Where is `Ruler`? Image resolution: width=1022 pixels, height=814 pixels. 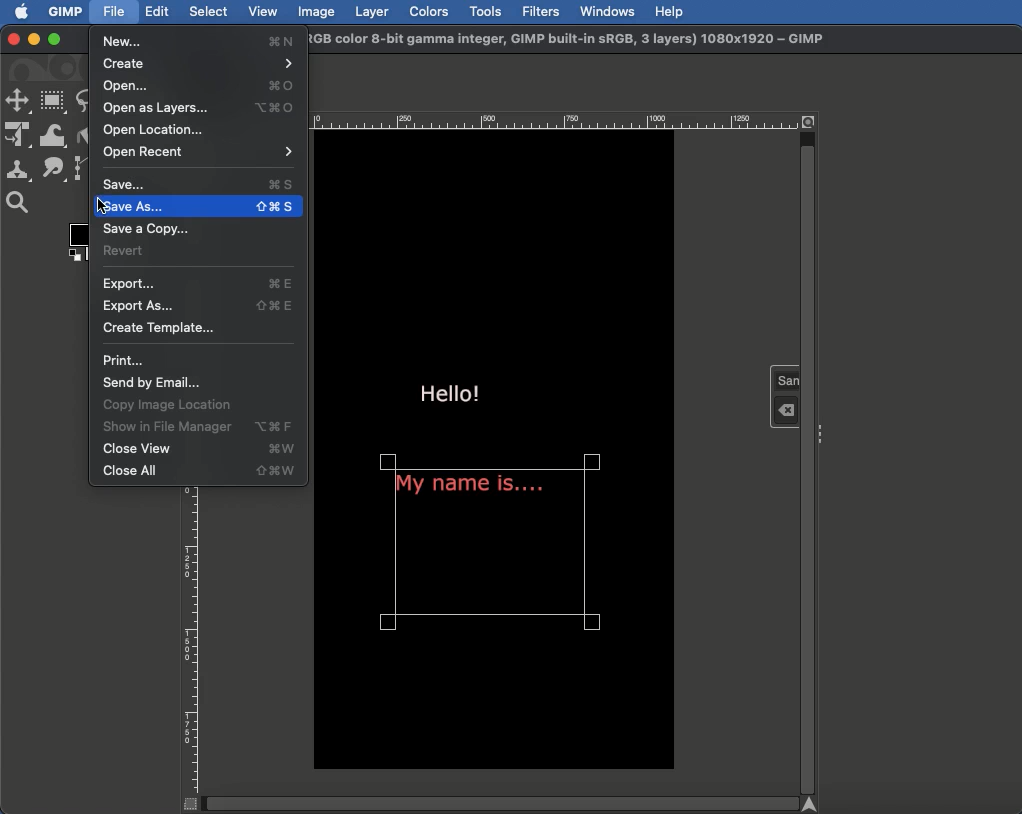
Ruler is located at coordinates (557, 119).